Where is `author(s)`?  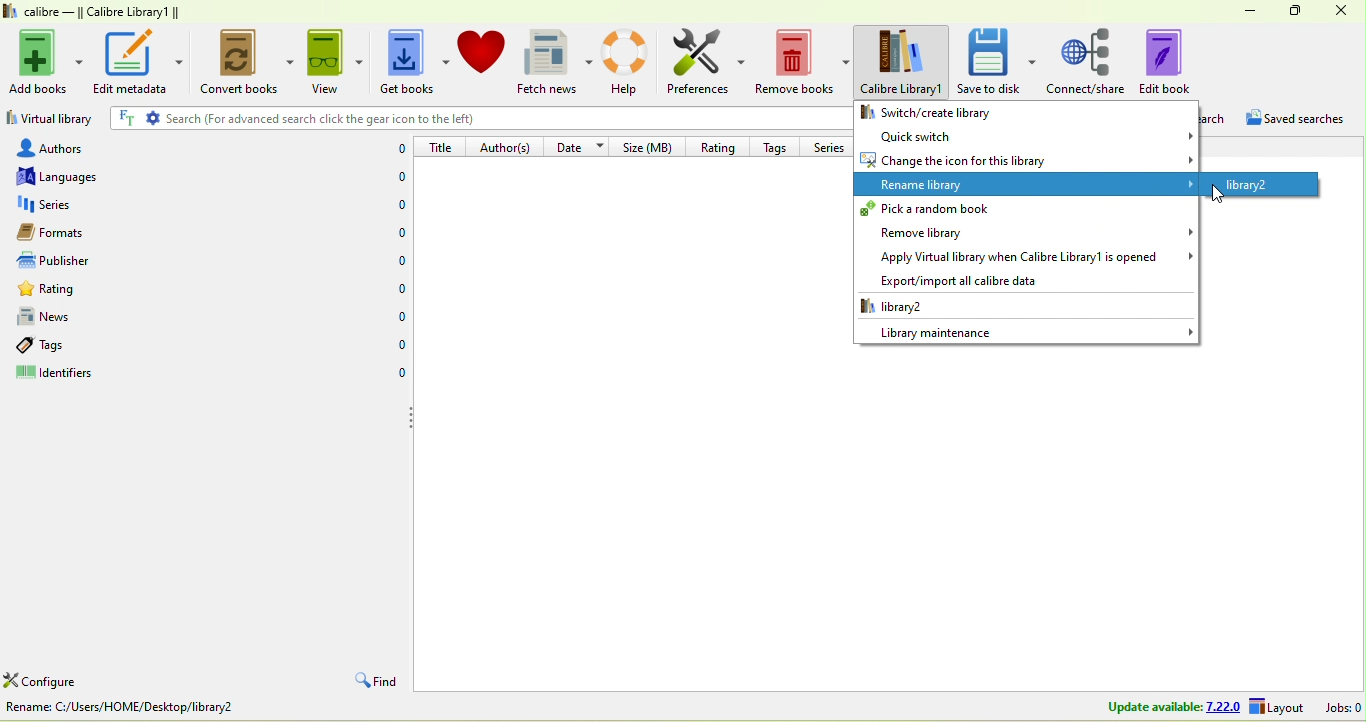 author(s) is located at coordinates (508, 146).